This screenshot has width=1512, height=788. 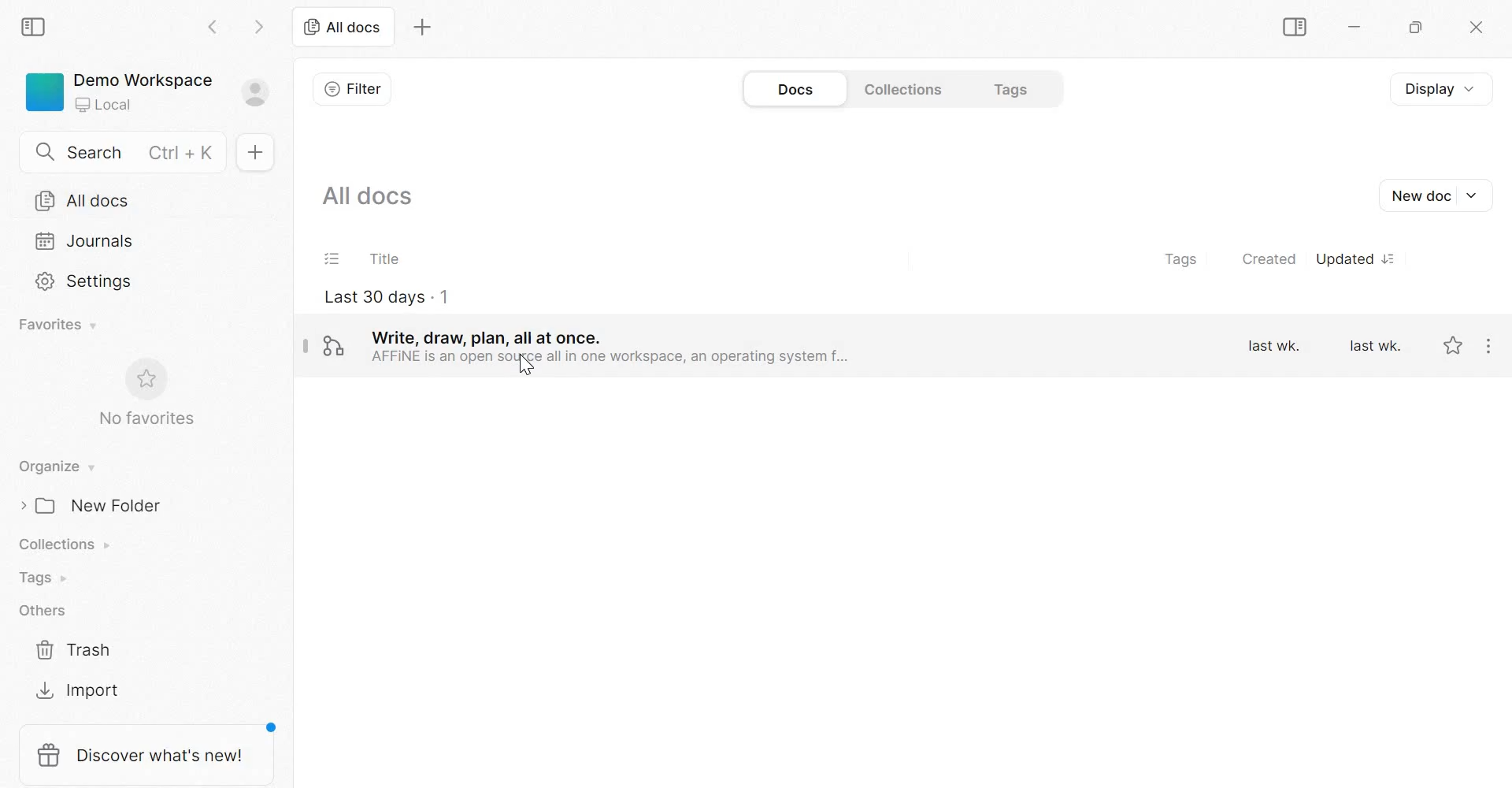 What do you see at coordinates (143, 379) in the screenshot?
I see `favorite symbol` at bounding box center [143, 379].